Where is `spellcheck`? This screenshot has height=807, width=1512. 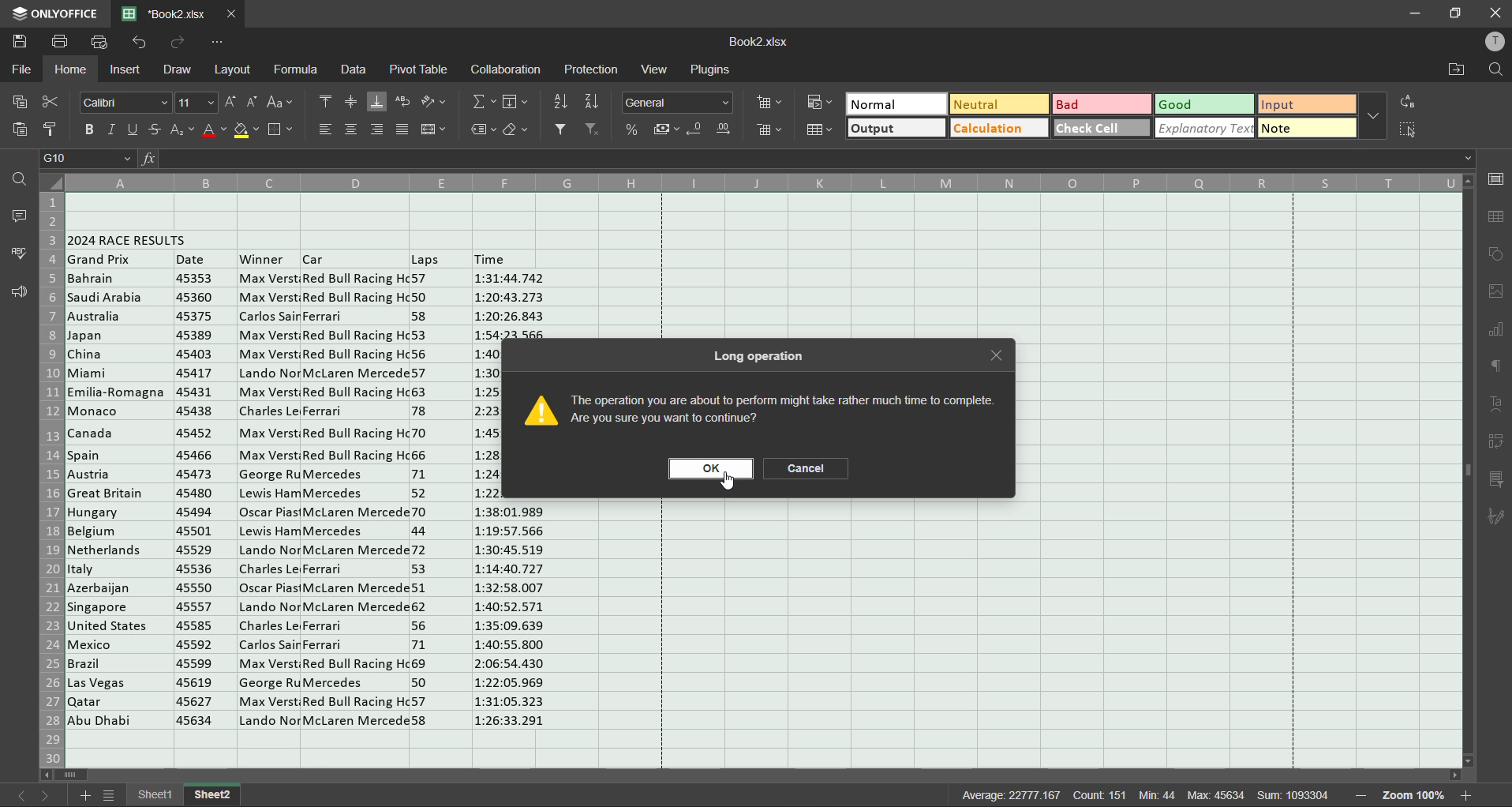
spellcheck is located at coordinates (14, 253).